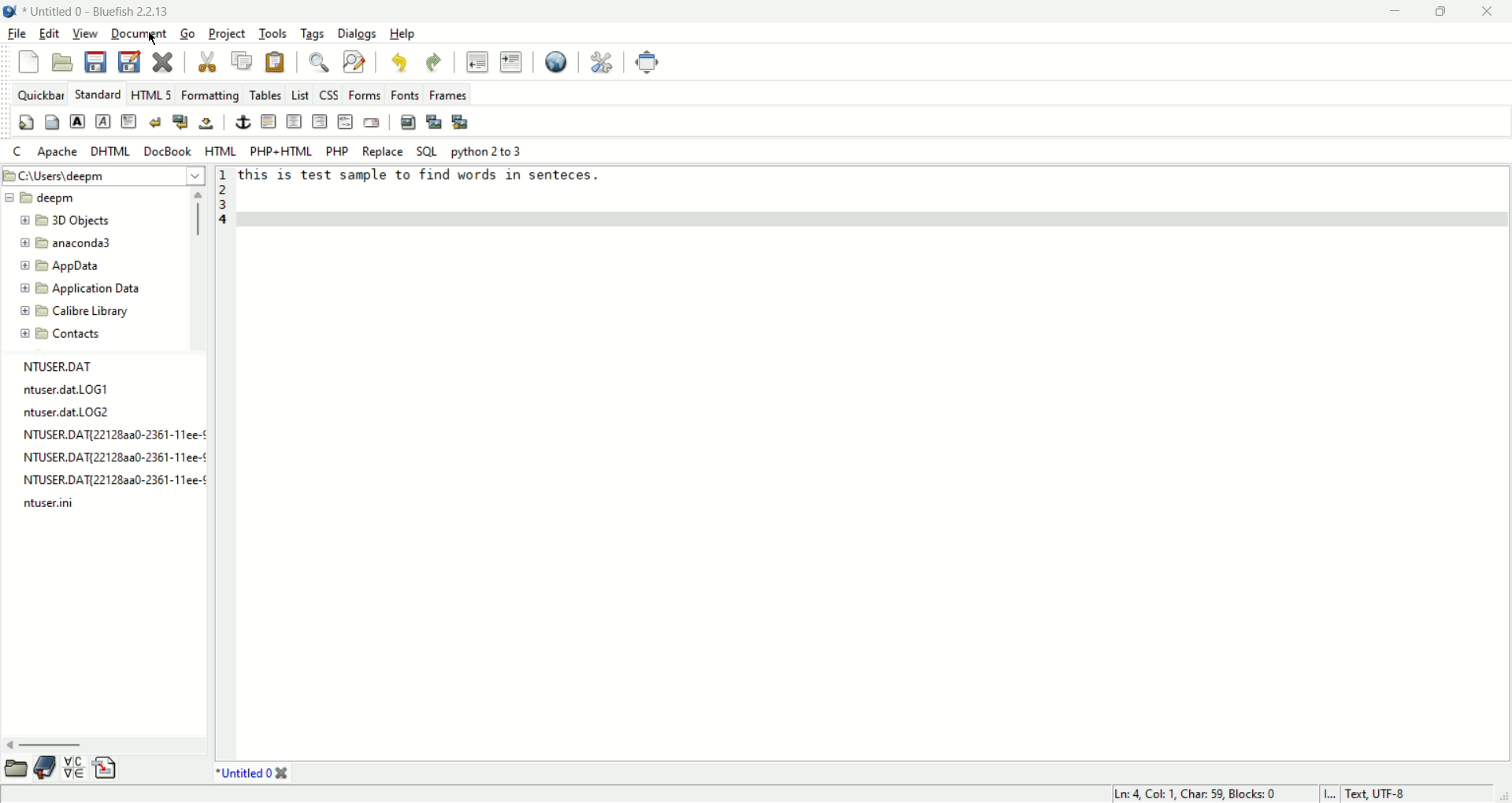  What do you see at coordinates (98, 94) in the screenshot?
I see `standard` at bounding box center [98, 94].